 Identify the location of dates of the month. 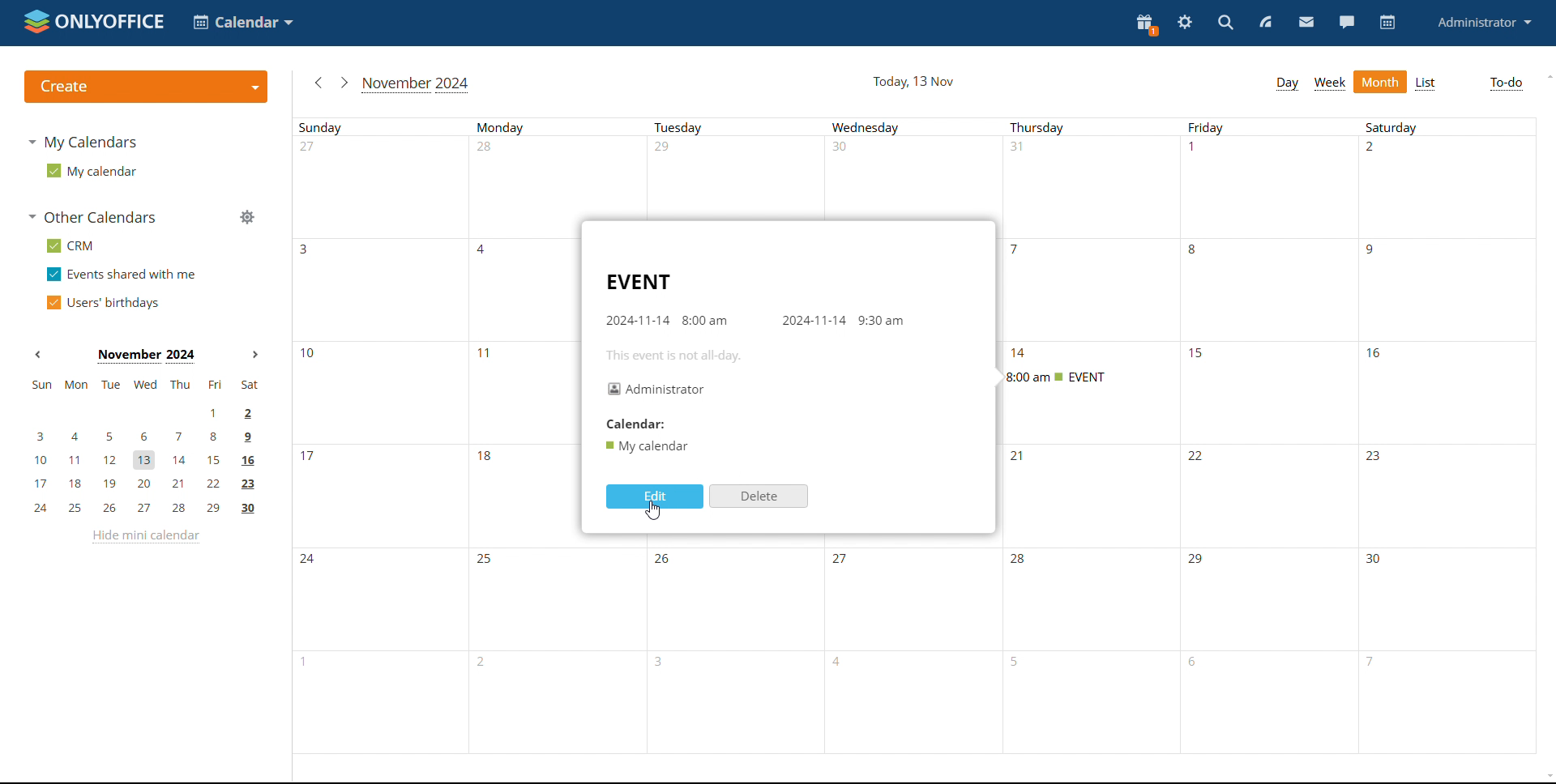
(431, 392).